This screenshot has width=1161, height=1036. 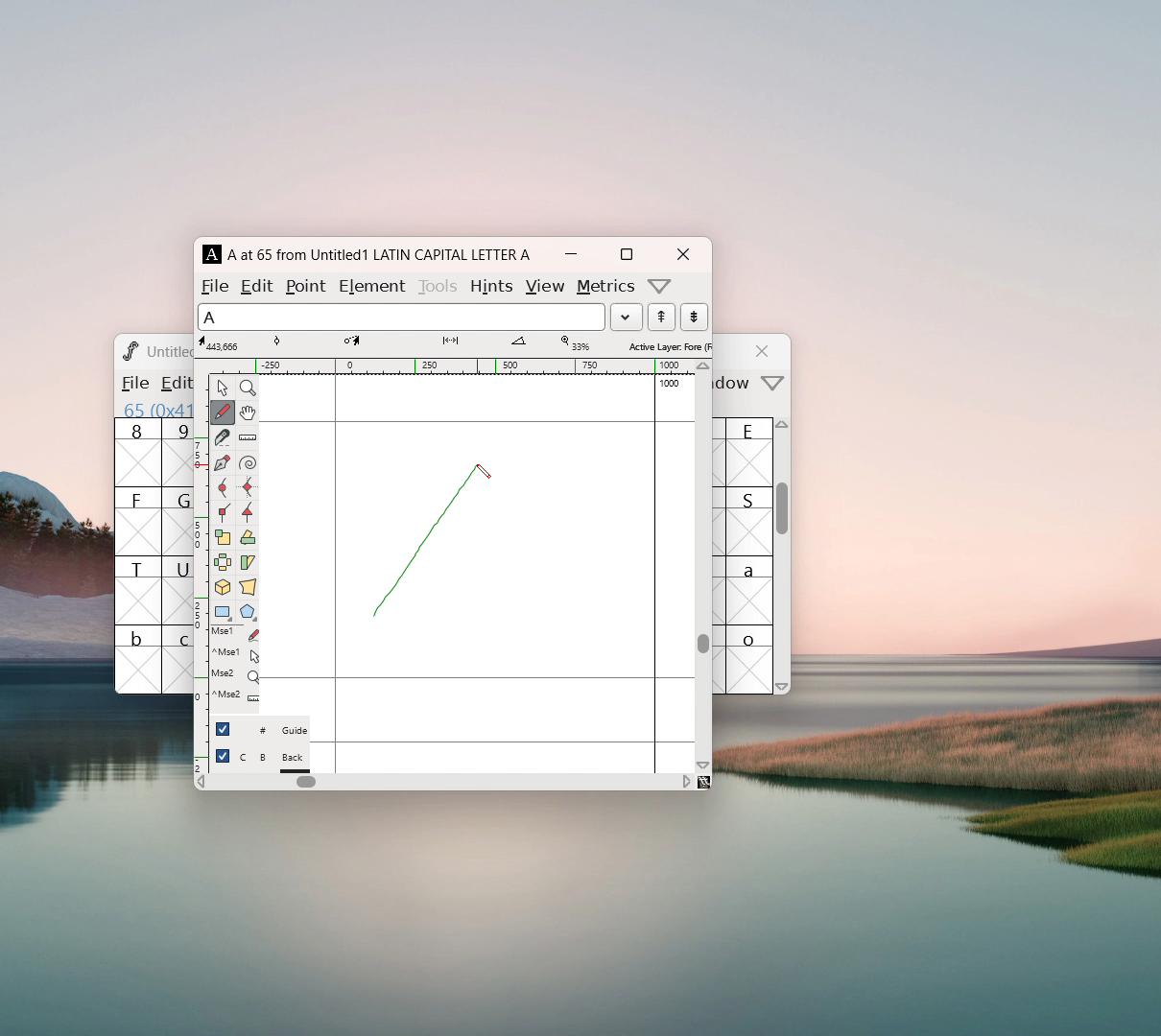 I want to click on scrollbar, so click(x=783, y=518).